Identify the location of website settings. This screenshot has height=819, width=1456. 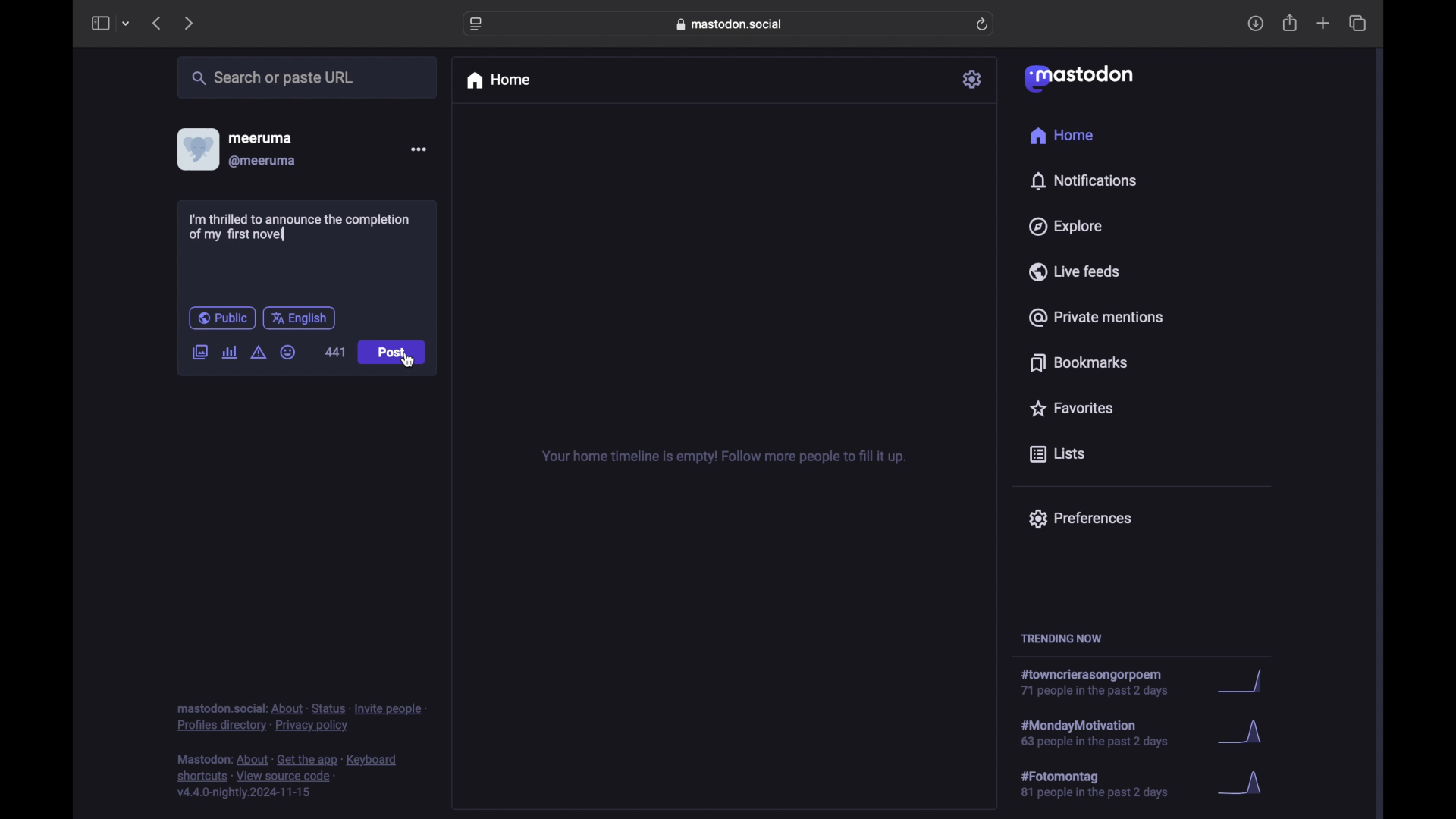
(476, 25).